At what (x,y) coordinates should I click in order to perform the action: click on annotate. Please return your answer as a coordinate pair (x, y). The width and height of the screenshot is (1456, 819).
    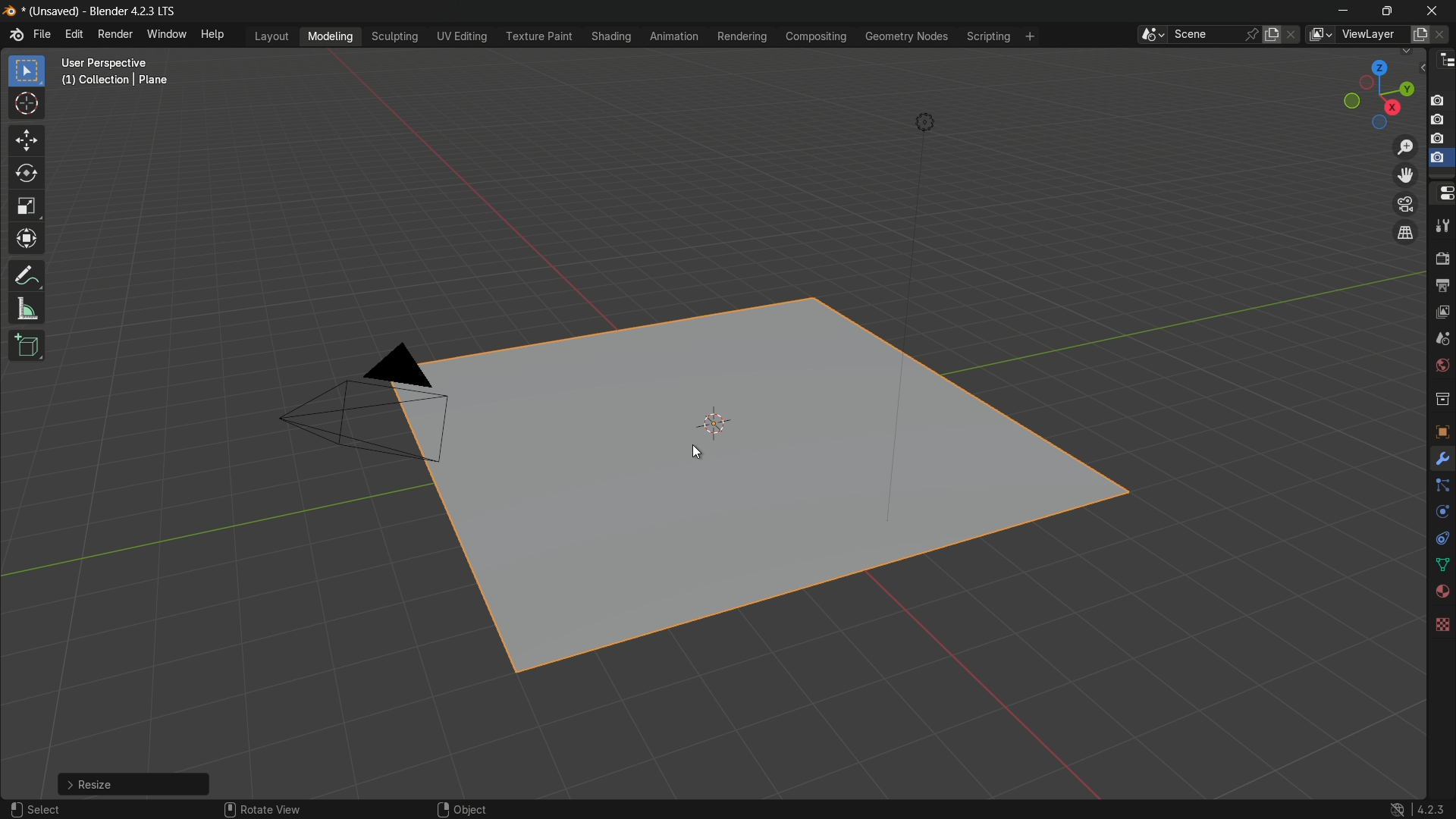
    Looking at the image, I should click on (26, 276).